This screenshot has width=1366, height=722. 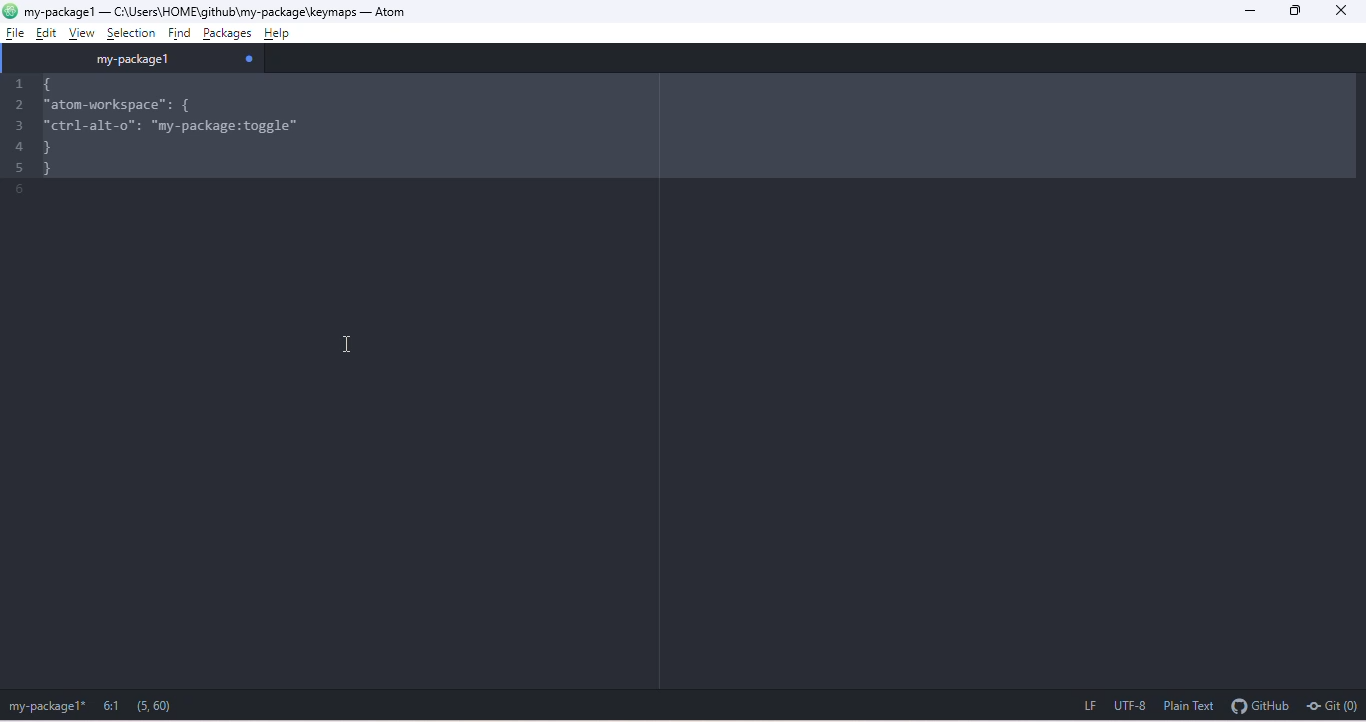 What do you see at coordinates (1300, 10) in the screenshot?
I see `maximize` at bounding box center [1300, 10].